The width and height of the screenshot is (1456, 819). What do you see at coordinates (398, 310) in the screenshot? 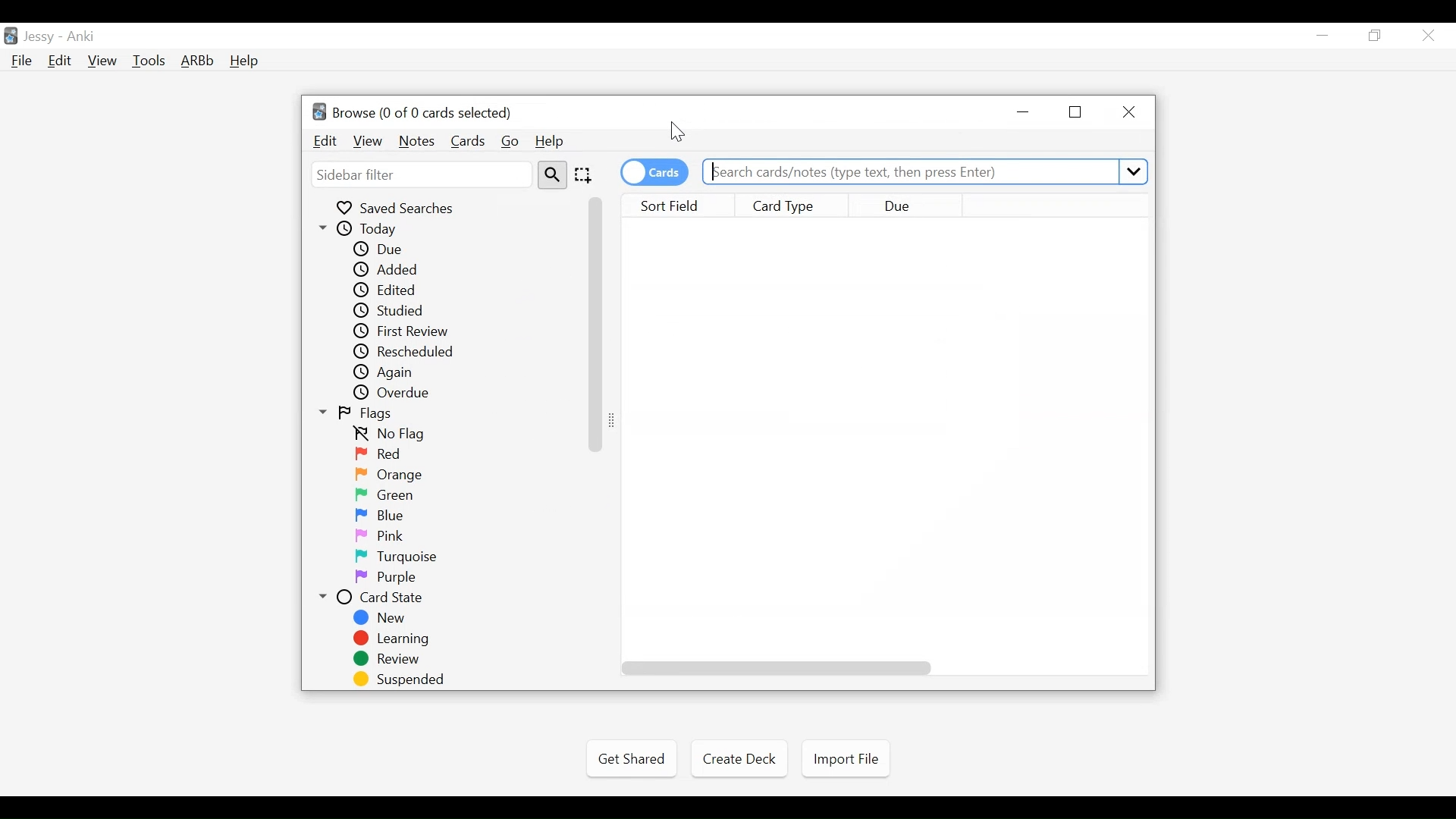
I see `Studied` at bounding box center [398, 310].